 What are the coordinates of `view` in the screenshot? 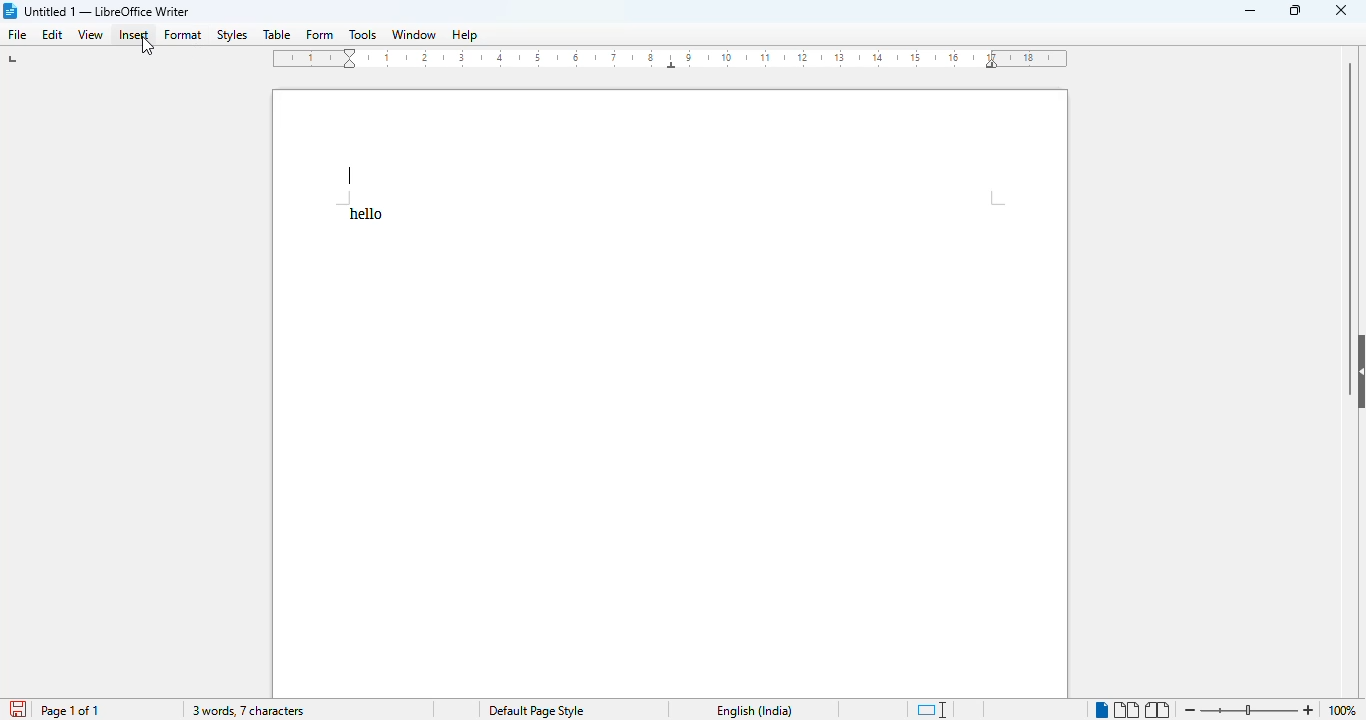 It's located at (90, 35).